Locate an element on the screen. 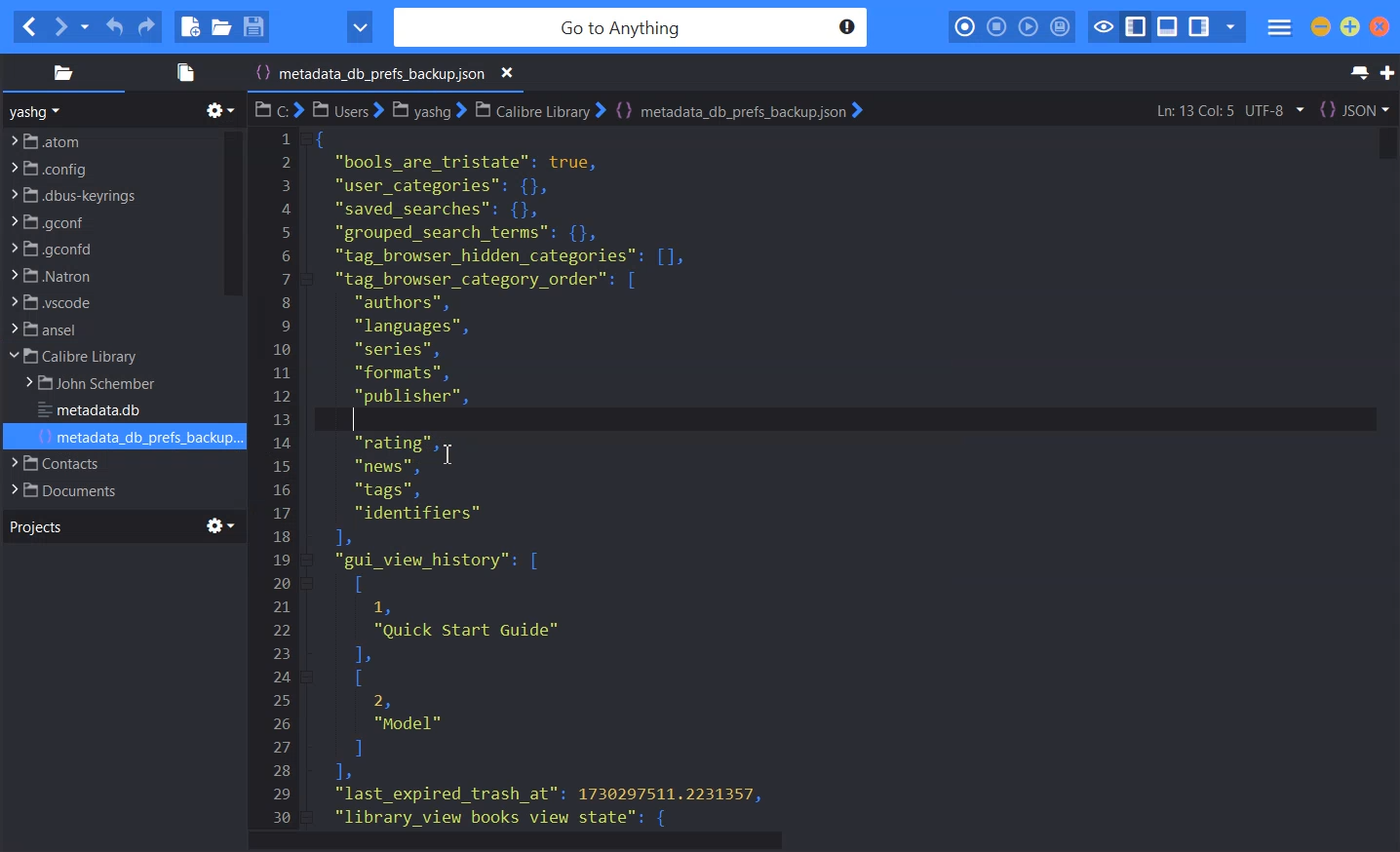 The height and width of the screenshot is (852, 1400). Text Cursor is located at coordinates (450, 452).